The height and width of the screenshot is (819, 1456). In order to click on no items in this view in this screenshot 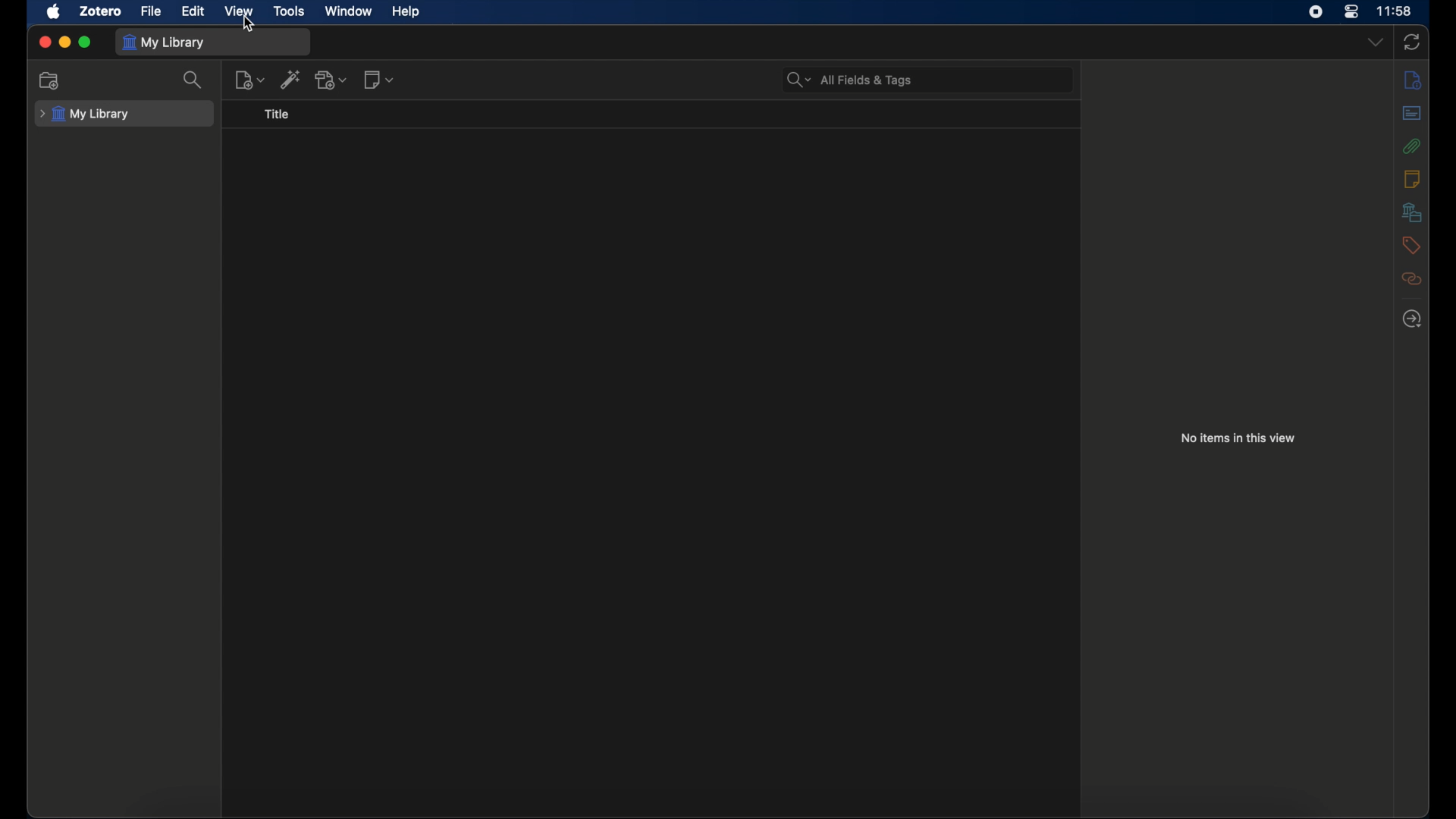, I will do `click(1241, 438)`.